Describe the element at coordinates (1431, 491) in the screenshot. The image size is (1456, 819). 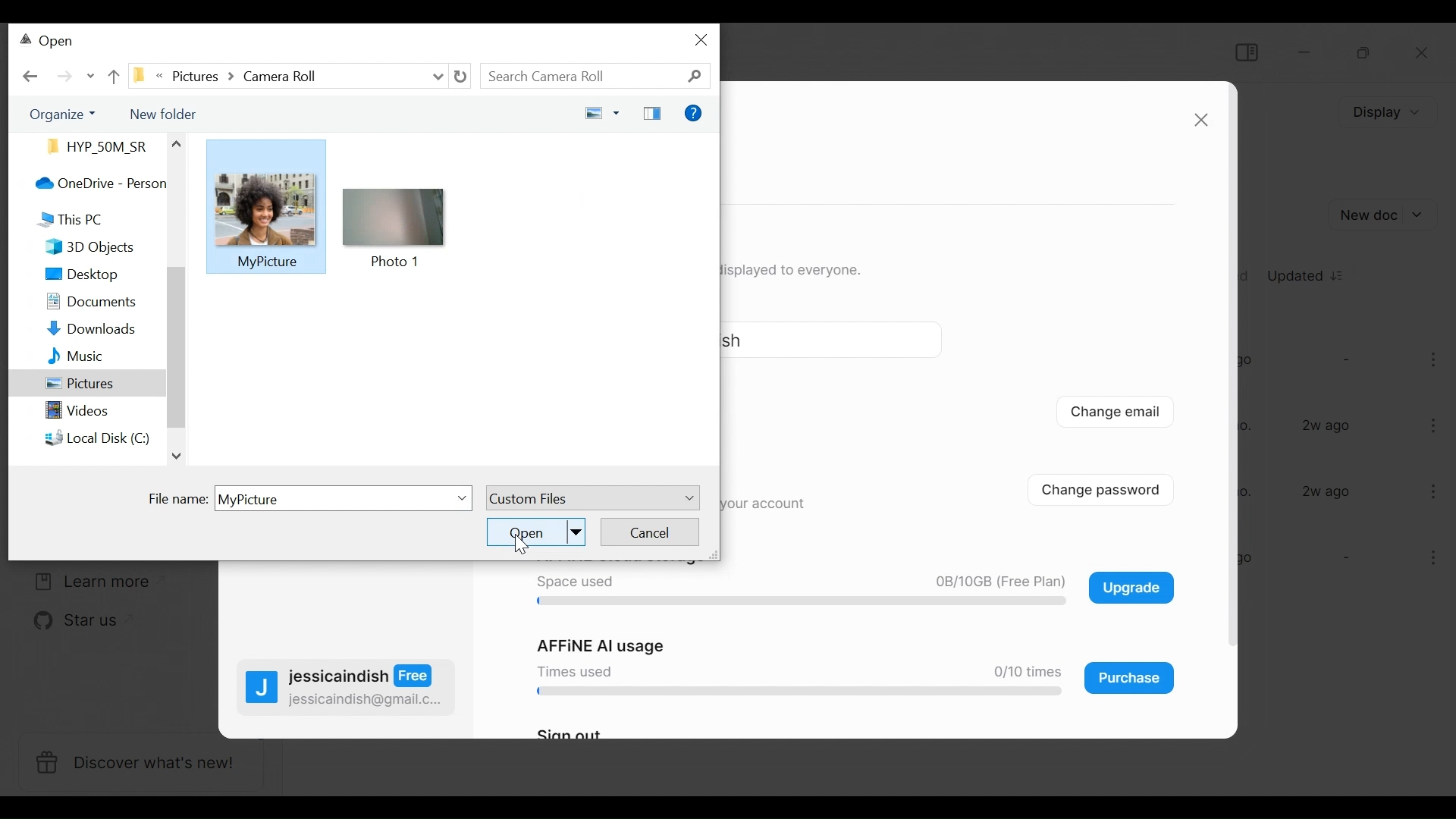
I see `more options` at that location.